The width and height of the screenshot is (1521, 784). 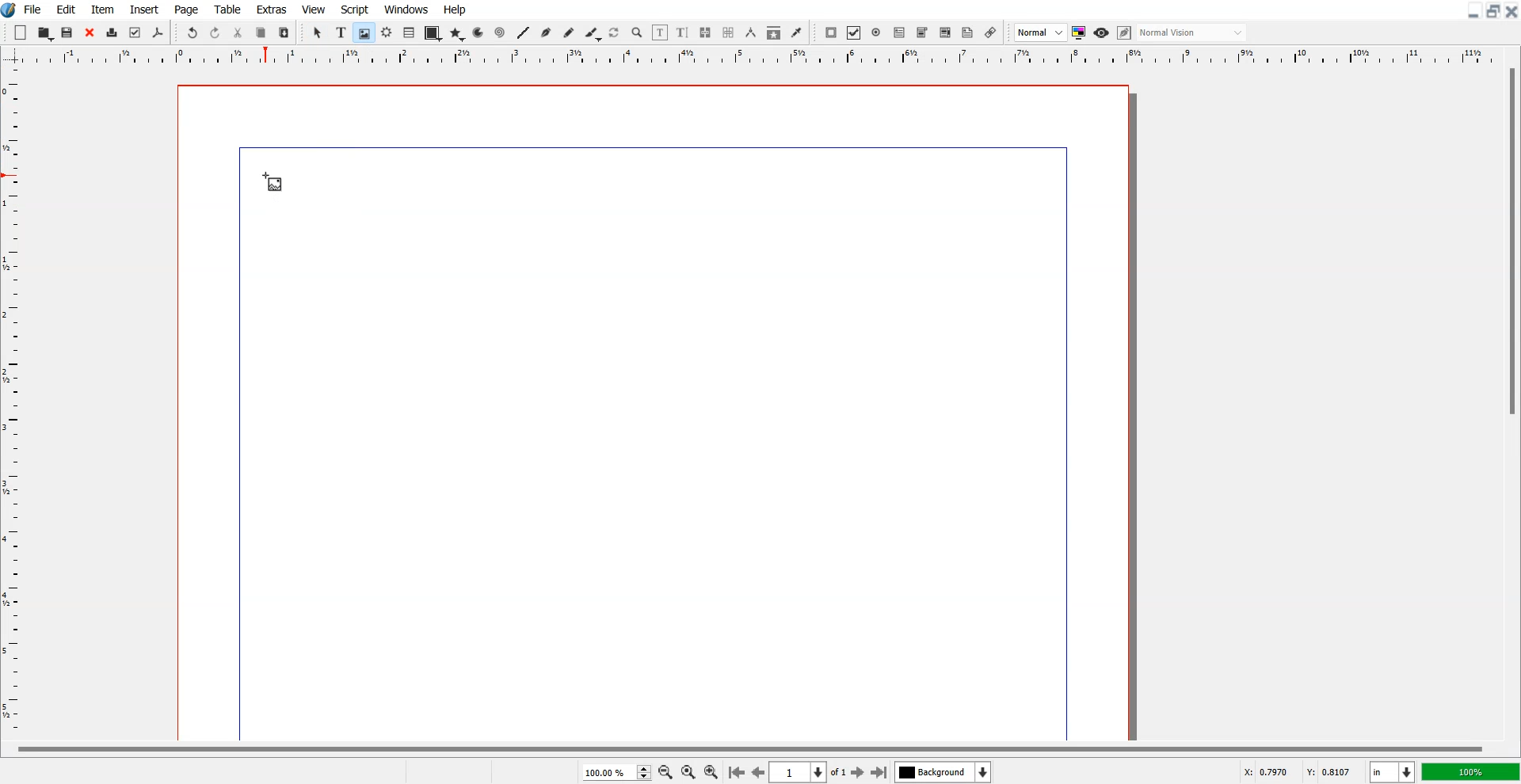 What do you see at coordinates (284, 32) in the screenshot?
I see `Paste` at bounding box center [284, 32].